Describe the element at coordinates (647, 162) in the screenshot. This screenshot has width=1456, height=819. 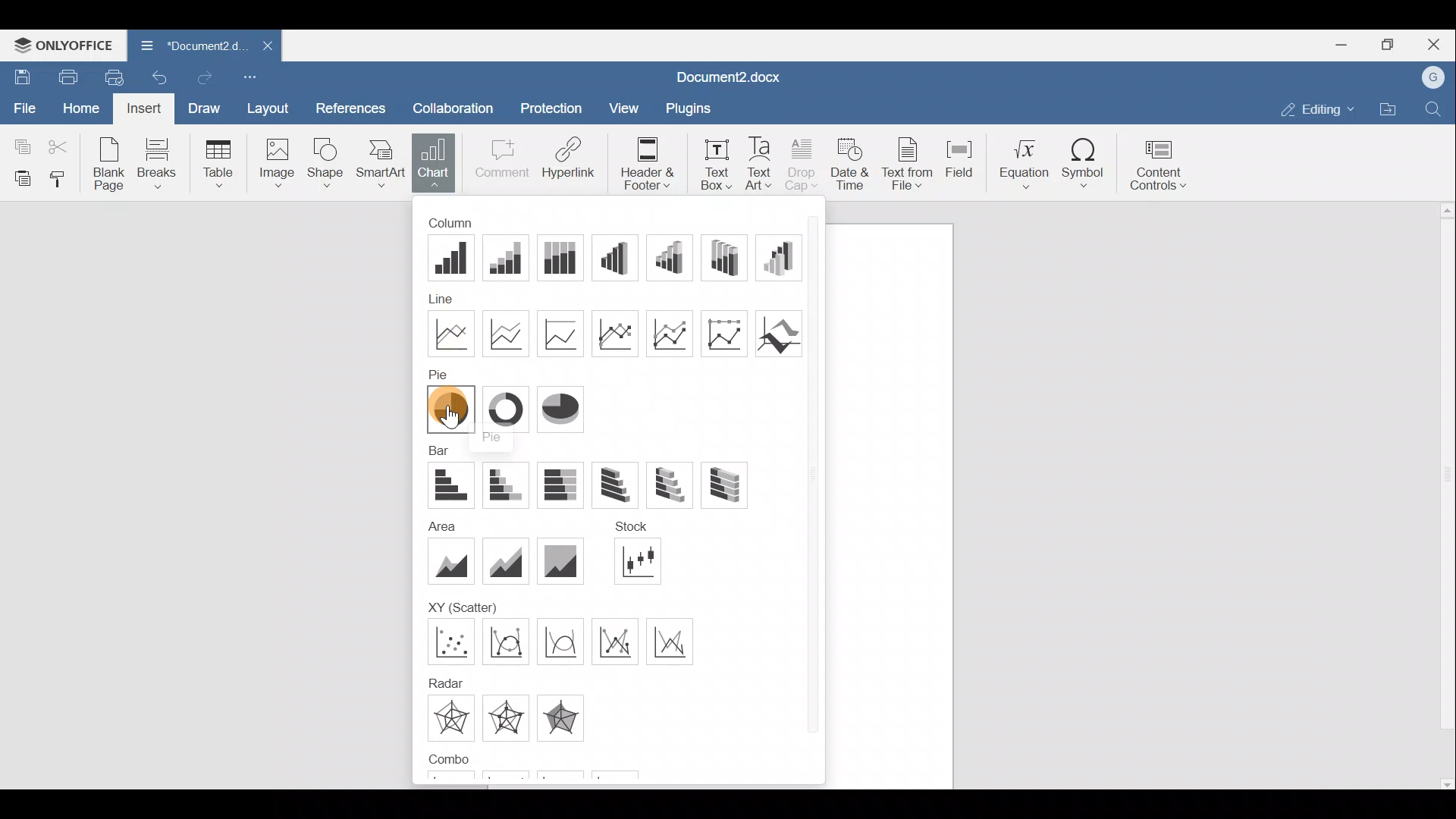
I see `Header & footer` at that location.